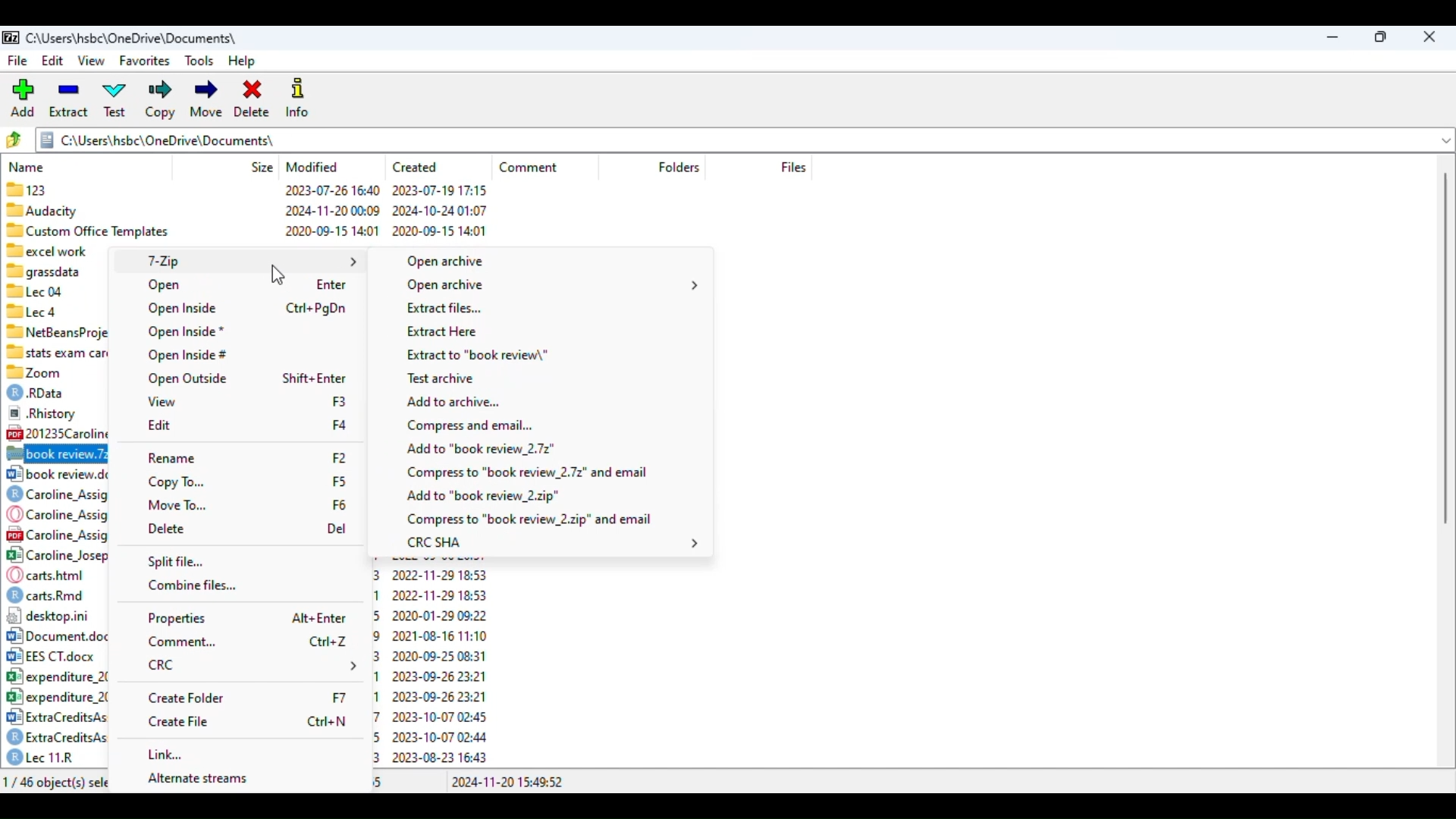  What do you see at coordinates (445, 261) in the screenshot?
I see `open archive` at bounding box center [445, 261].